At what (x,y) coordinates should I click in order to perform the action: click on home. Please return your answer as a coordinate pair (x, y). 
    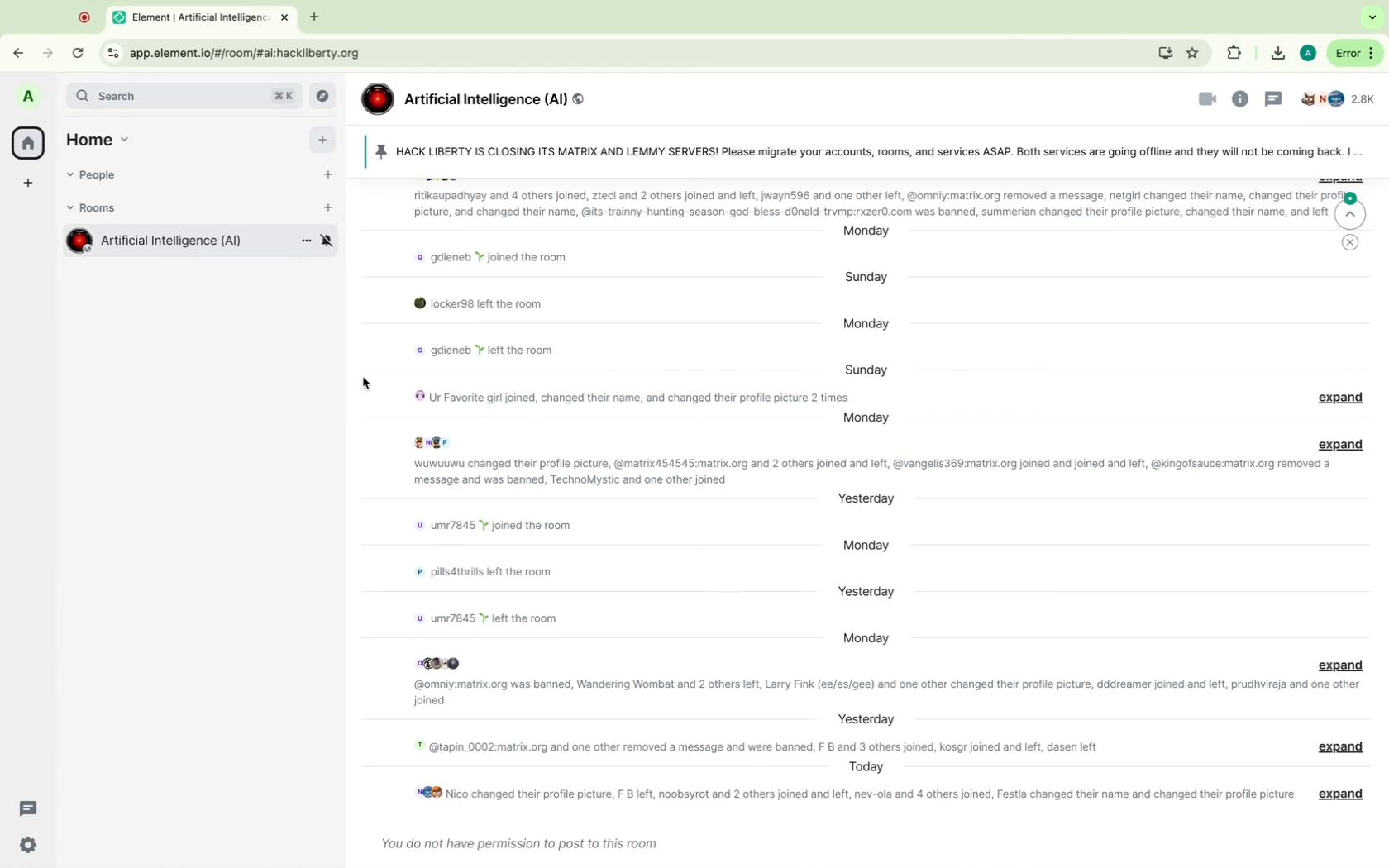
    Looking at the image, I should click on (27, 141).